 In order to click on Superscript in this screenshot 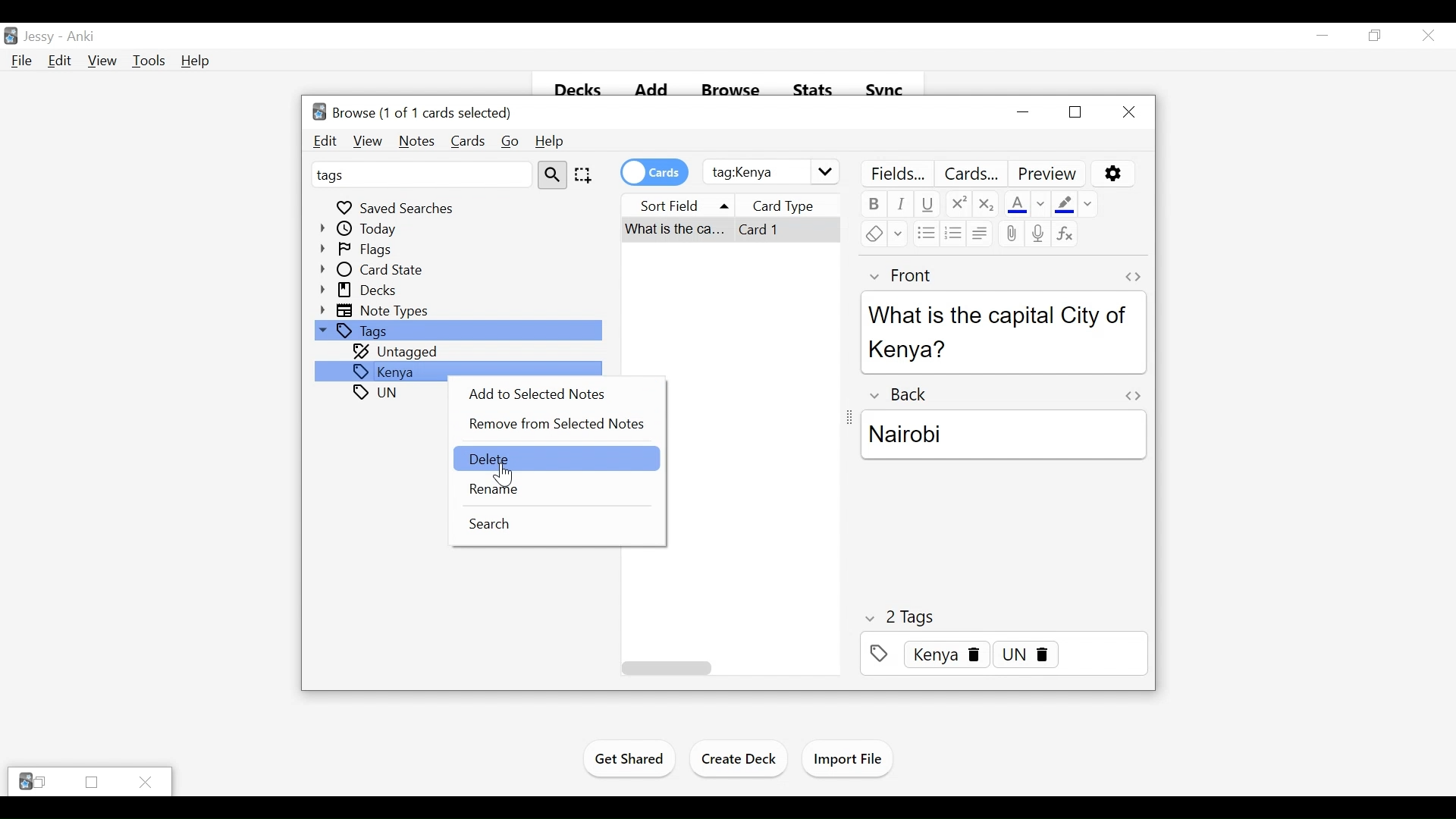, I will do `click(958, 205)`.